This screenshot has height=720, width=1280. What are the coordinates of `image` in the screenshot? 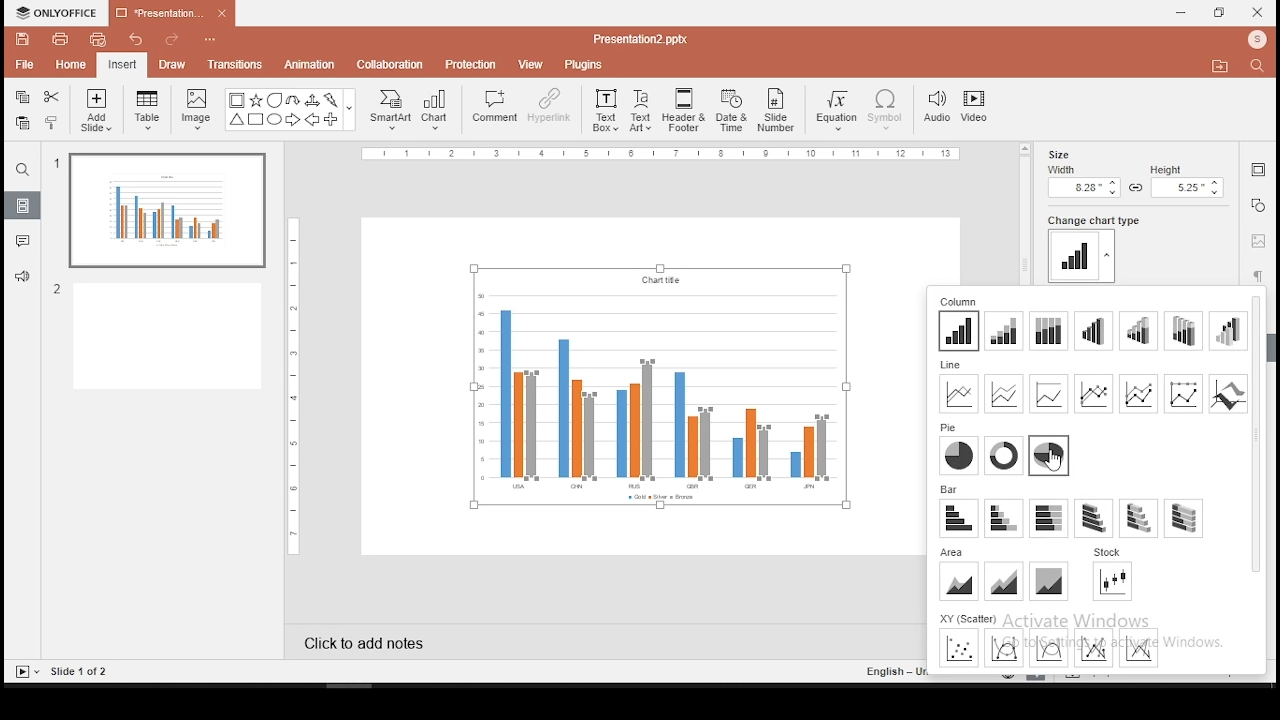 It's located at (196, 111).